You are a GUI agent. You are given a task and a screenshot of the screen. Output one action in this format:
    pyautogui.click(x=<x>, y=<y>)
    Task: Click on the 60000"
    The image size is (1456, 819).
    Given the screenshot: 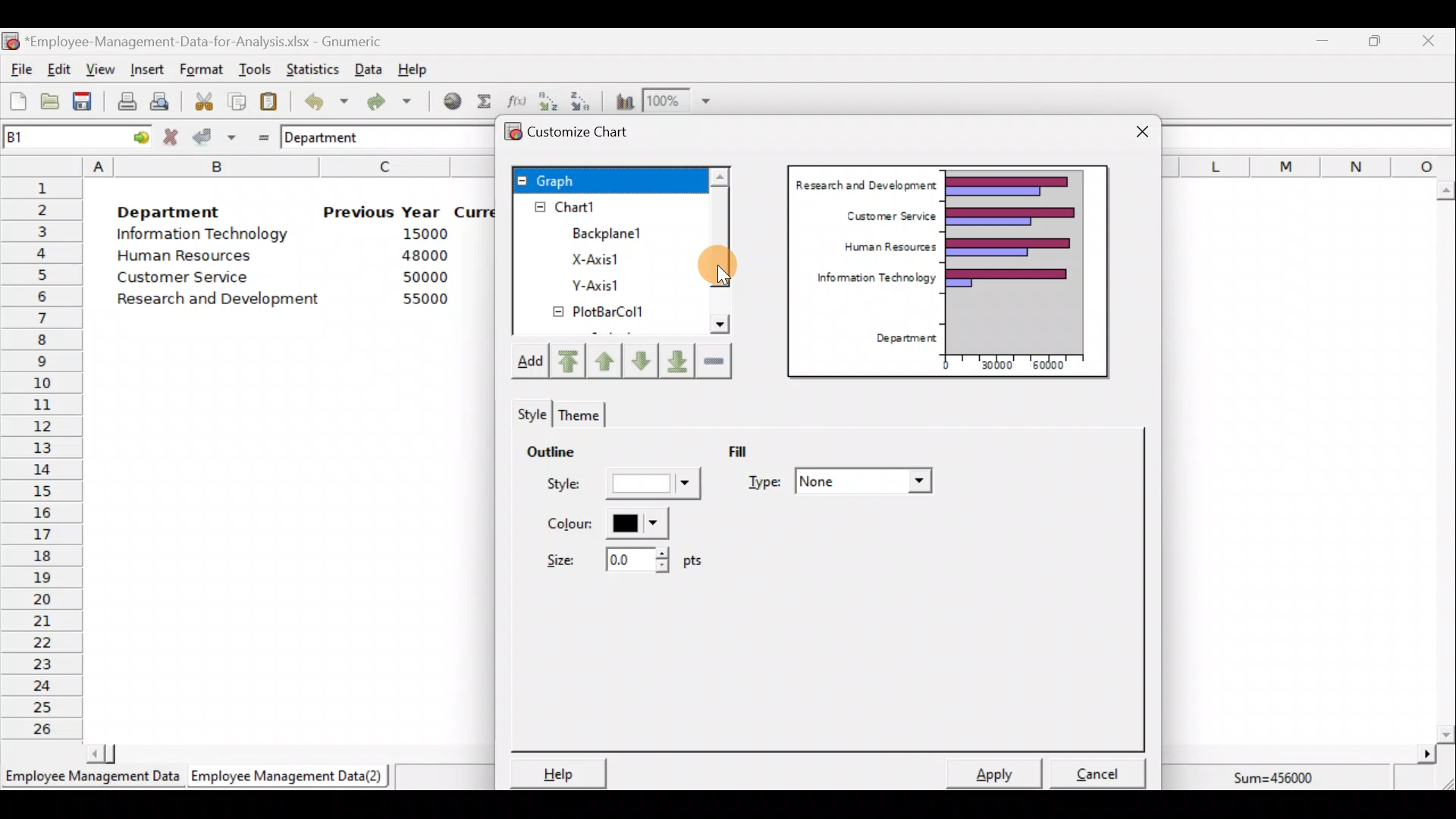 What is the action you would take?
    pyautogui.click(x=1057, y=367)
    